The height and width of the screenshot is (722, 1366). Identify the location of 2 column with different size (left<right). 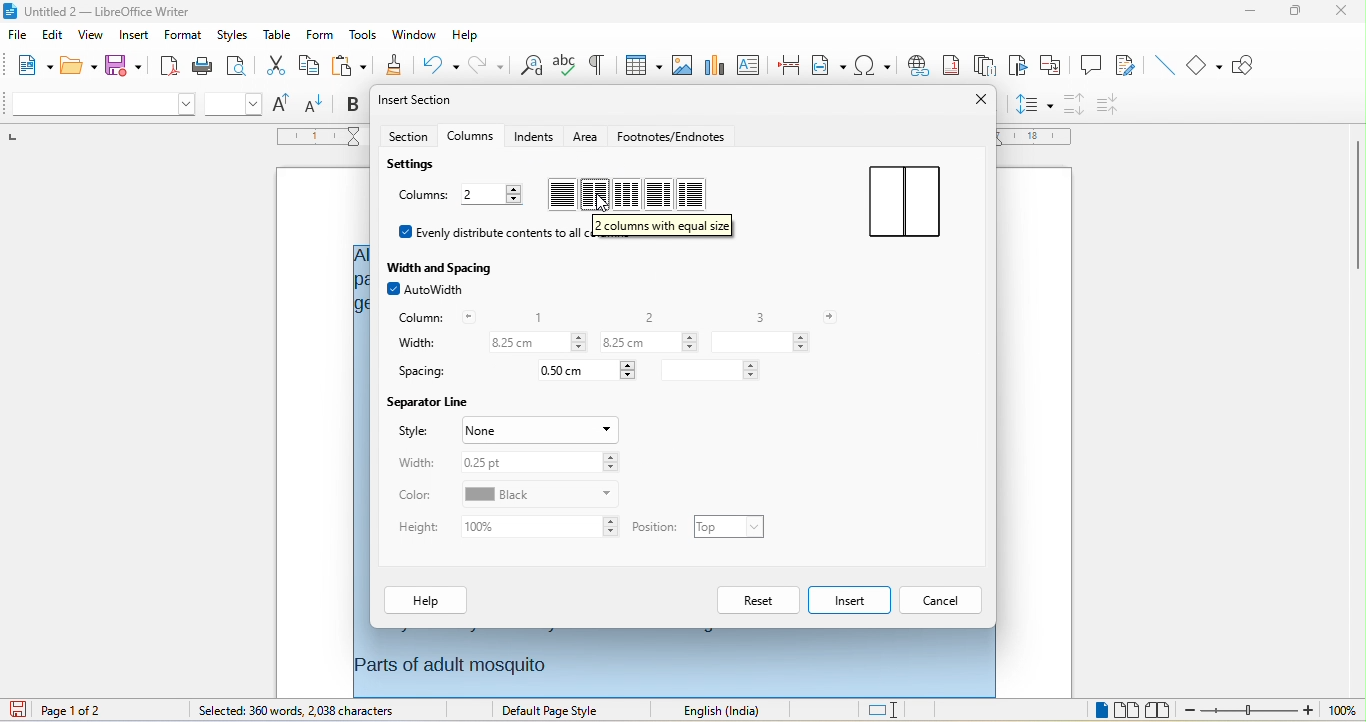
(692, 195).